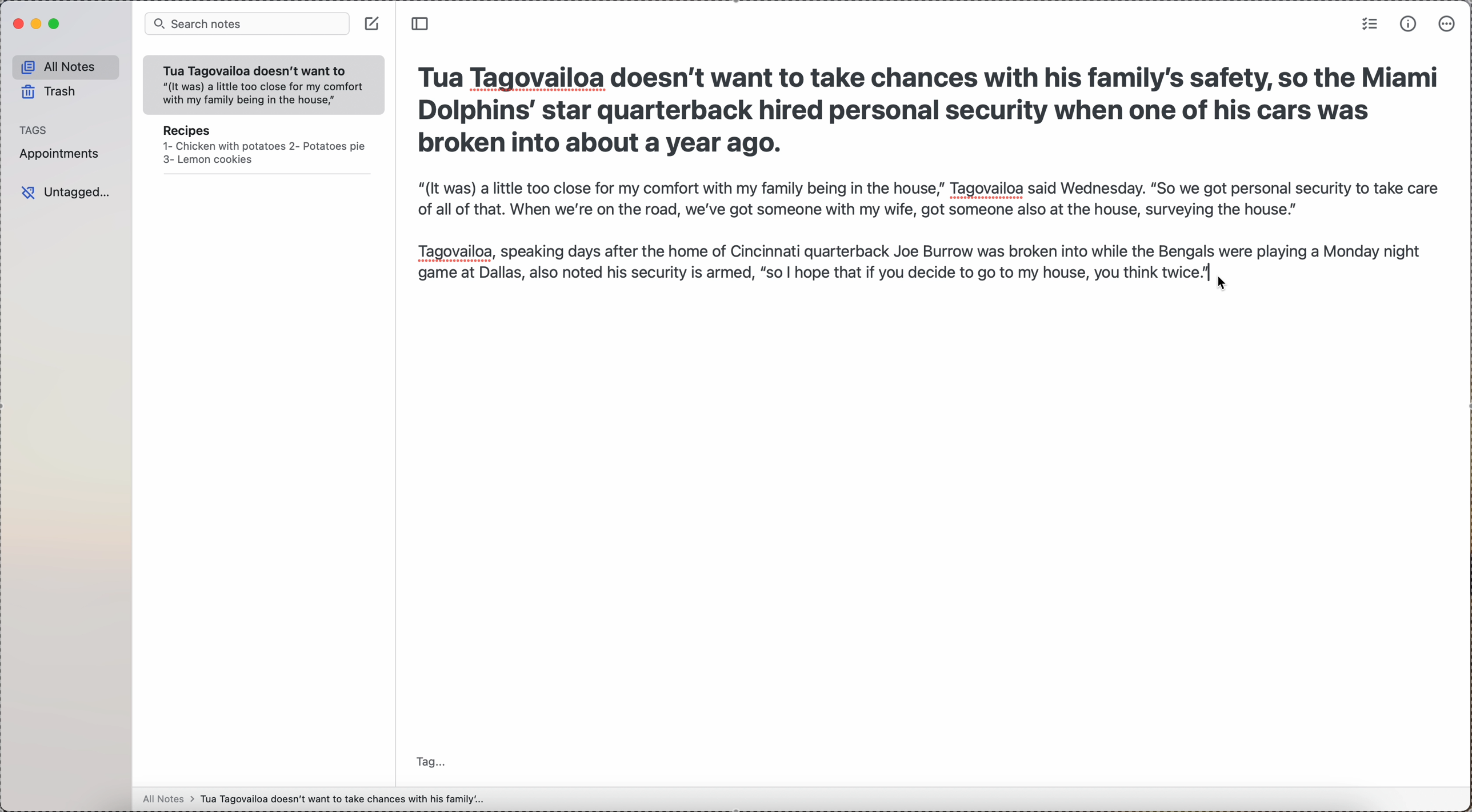  I want to click on Recipes
1- Chicken with potatoes 2- Potatoes pie
3- Lemon cookies, so click(262, 150).